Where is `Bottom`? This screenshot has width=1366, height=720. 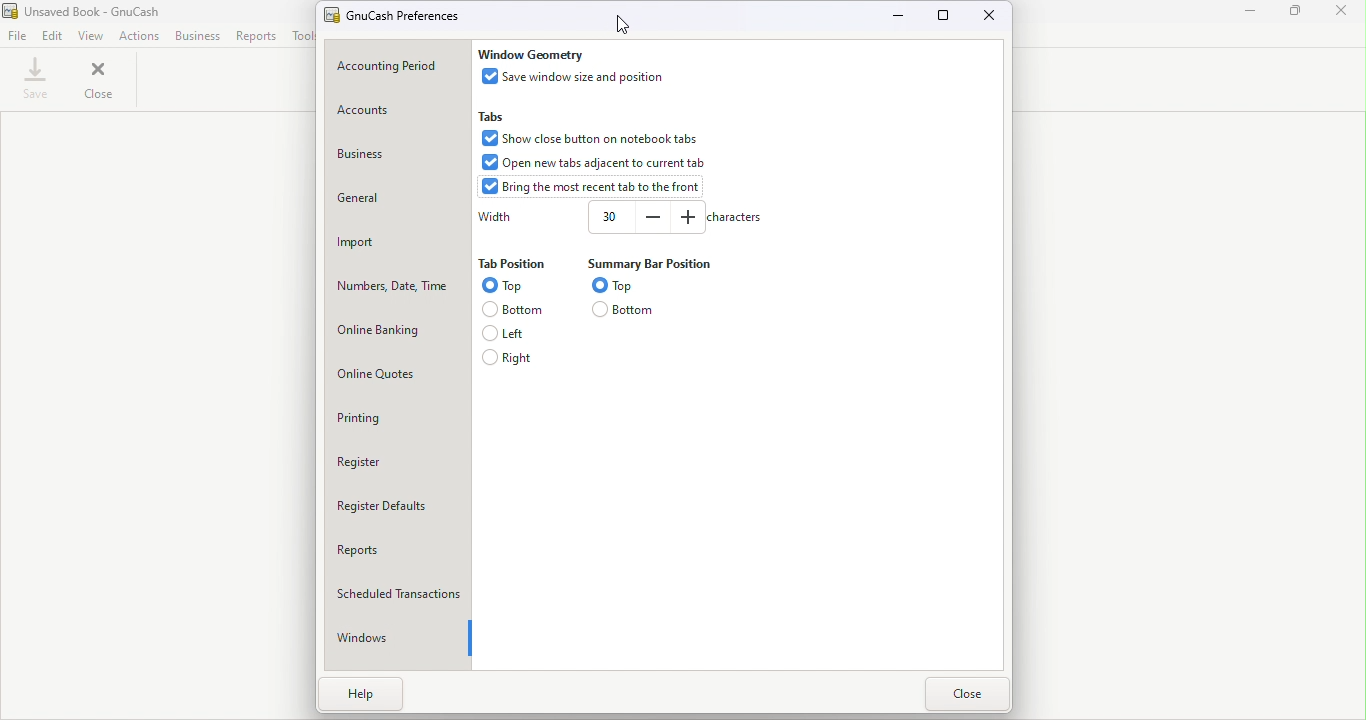
Bottom is located at coordinates (625, 309).